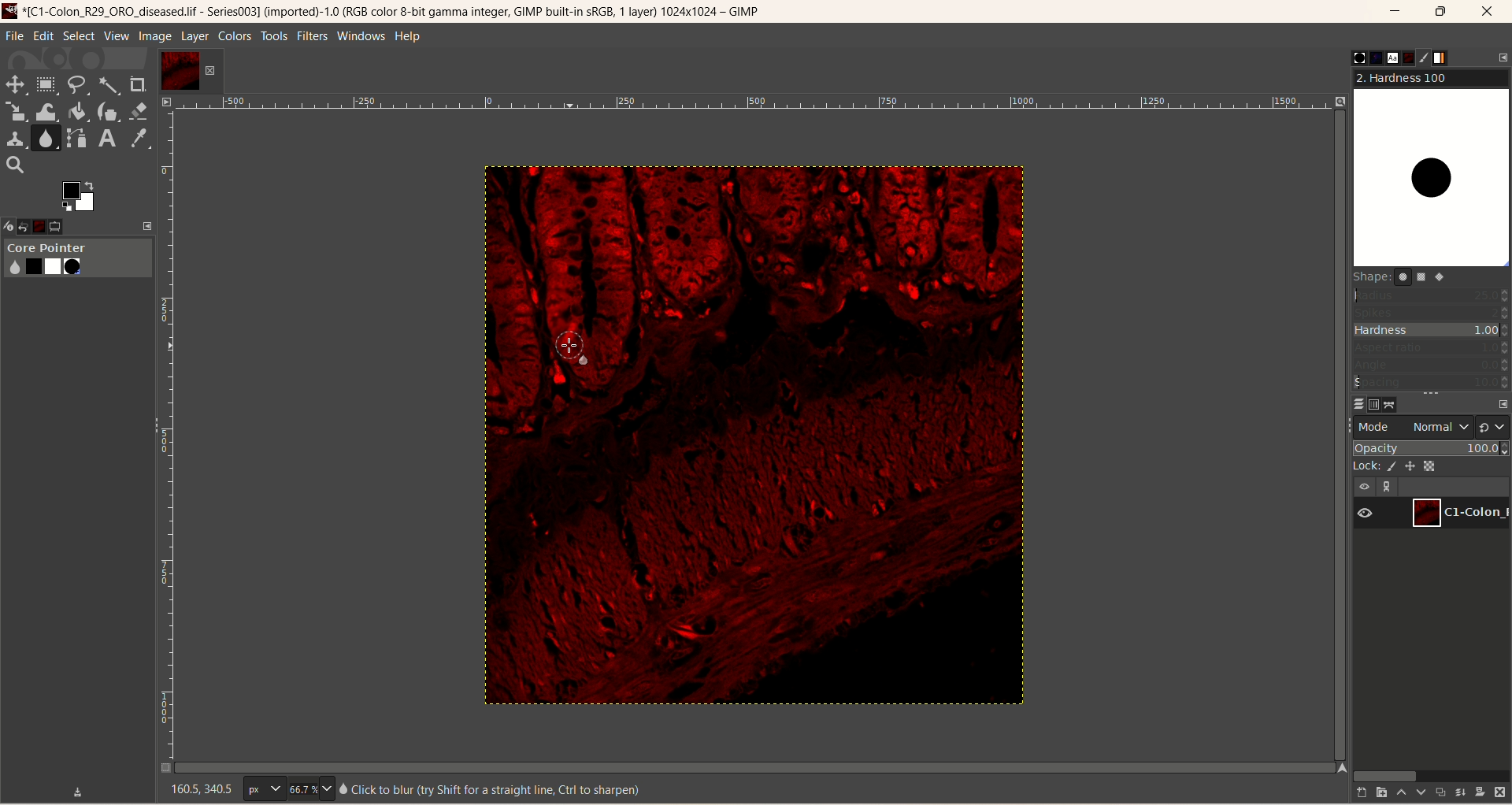 This screenshot has width=1512, height=805. Describe the element at coordinates (490, 789) in the screenshot. I see `text` at that location.